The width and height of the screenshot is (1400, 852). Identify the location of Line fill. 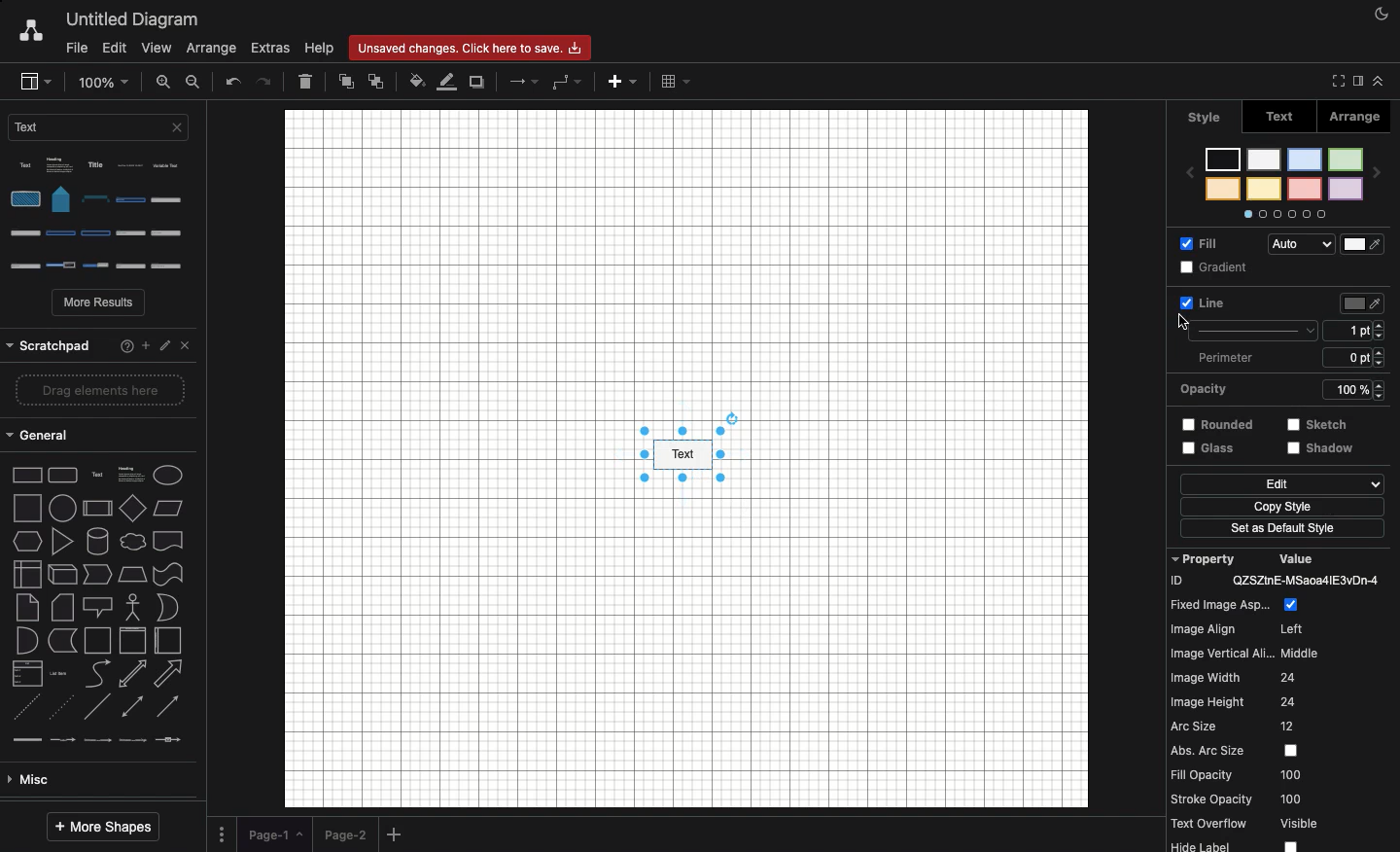
(448, 81).